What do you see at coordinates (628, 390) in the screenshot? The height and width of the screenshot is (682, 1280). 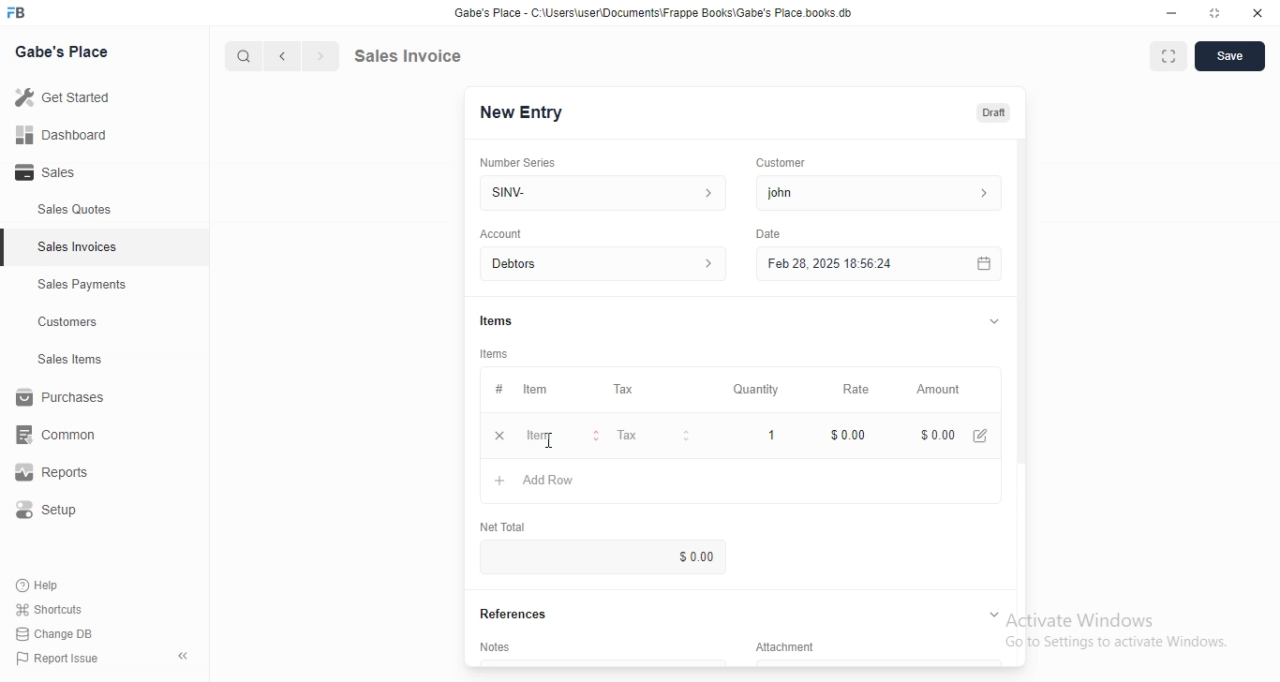 I see `Tax` at bounding box center [628, 390].